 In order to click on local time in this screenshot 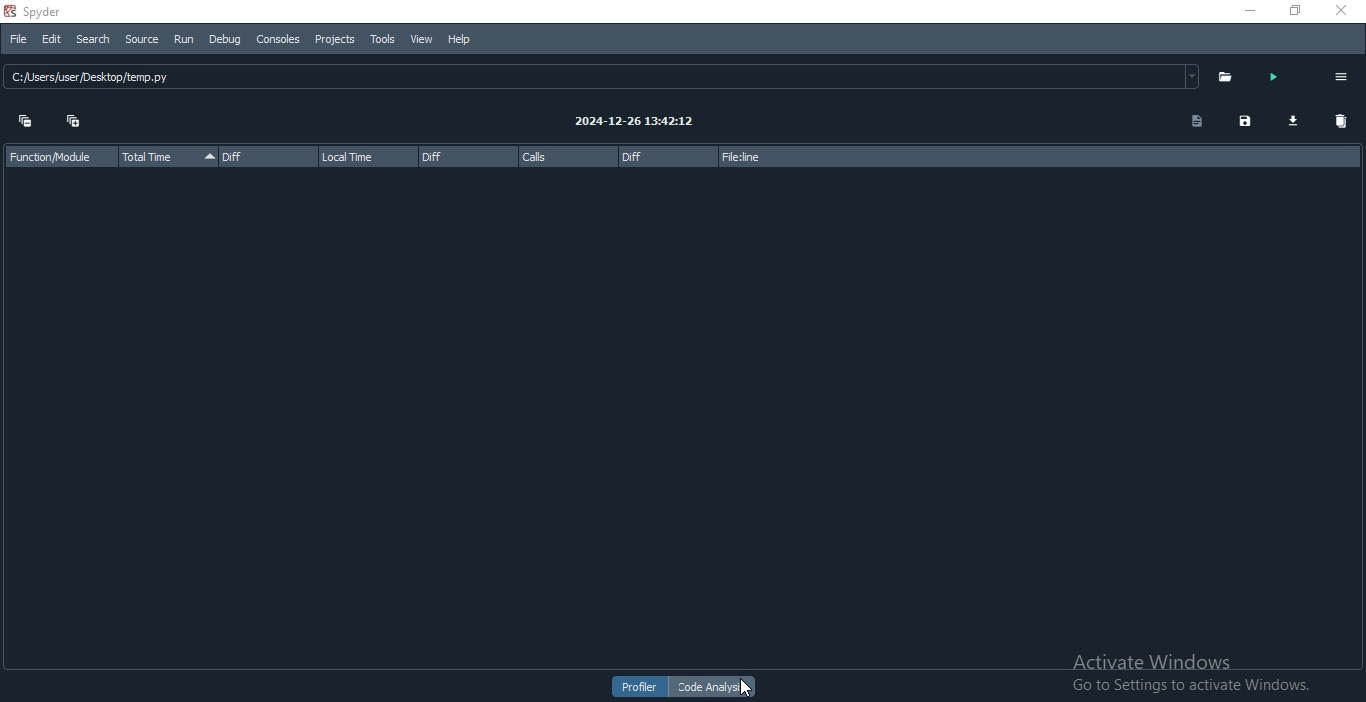, I will do `click(367, 155)`.